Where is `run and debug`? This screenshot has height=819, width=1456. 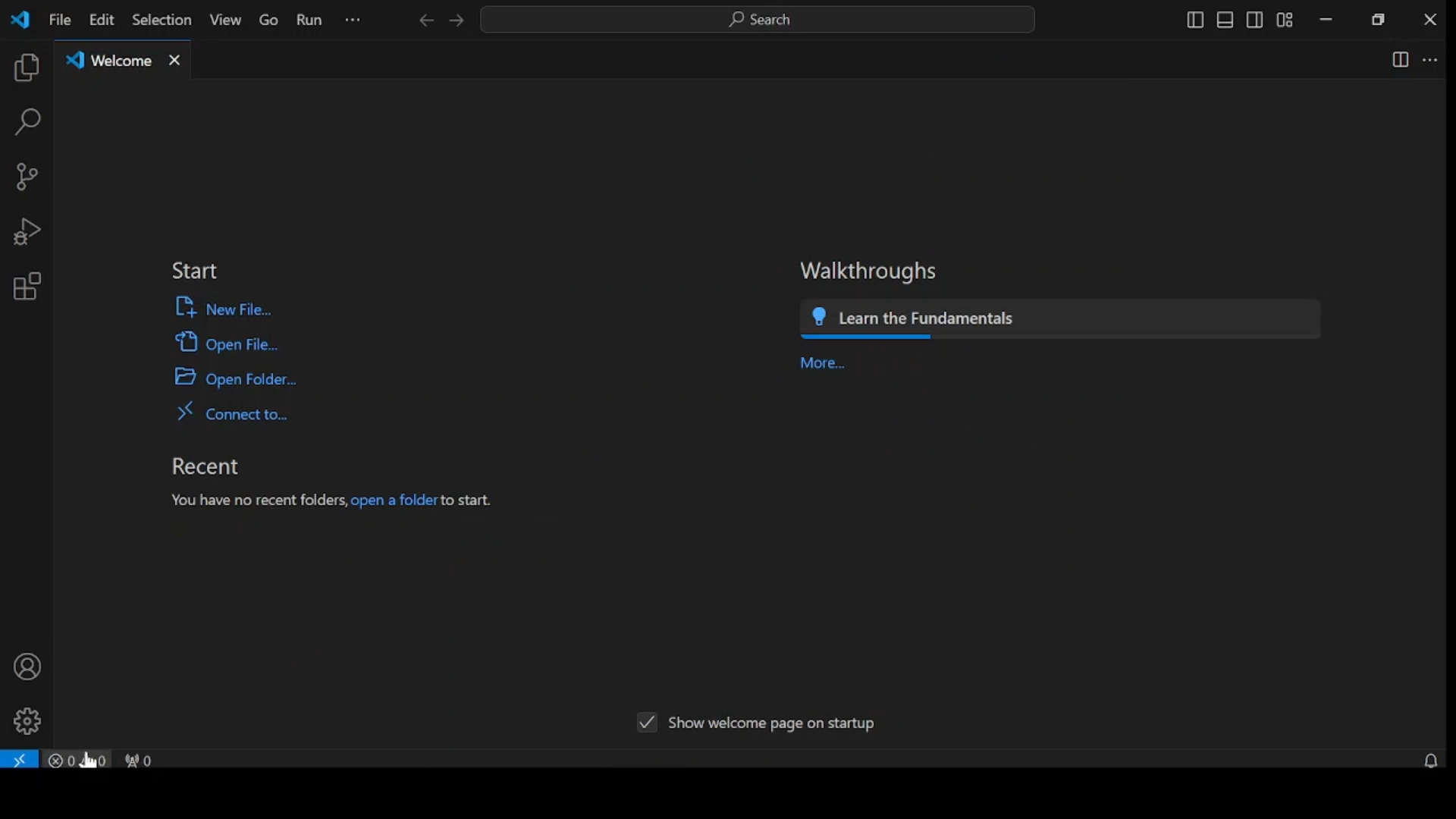
run and debug is located at coordinates (27, 233).